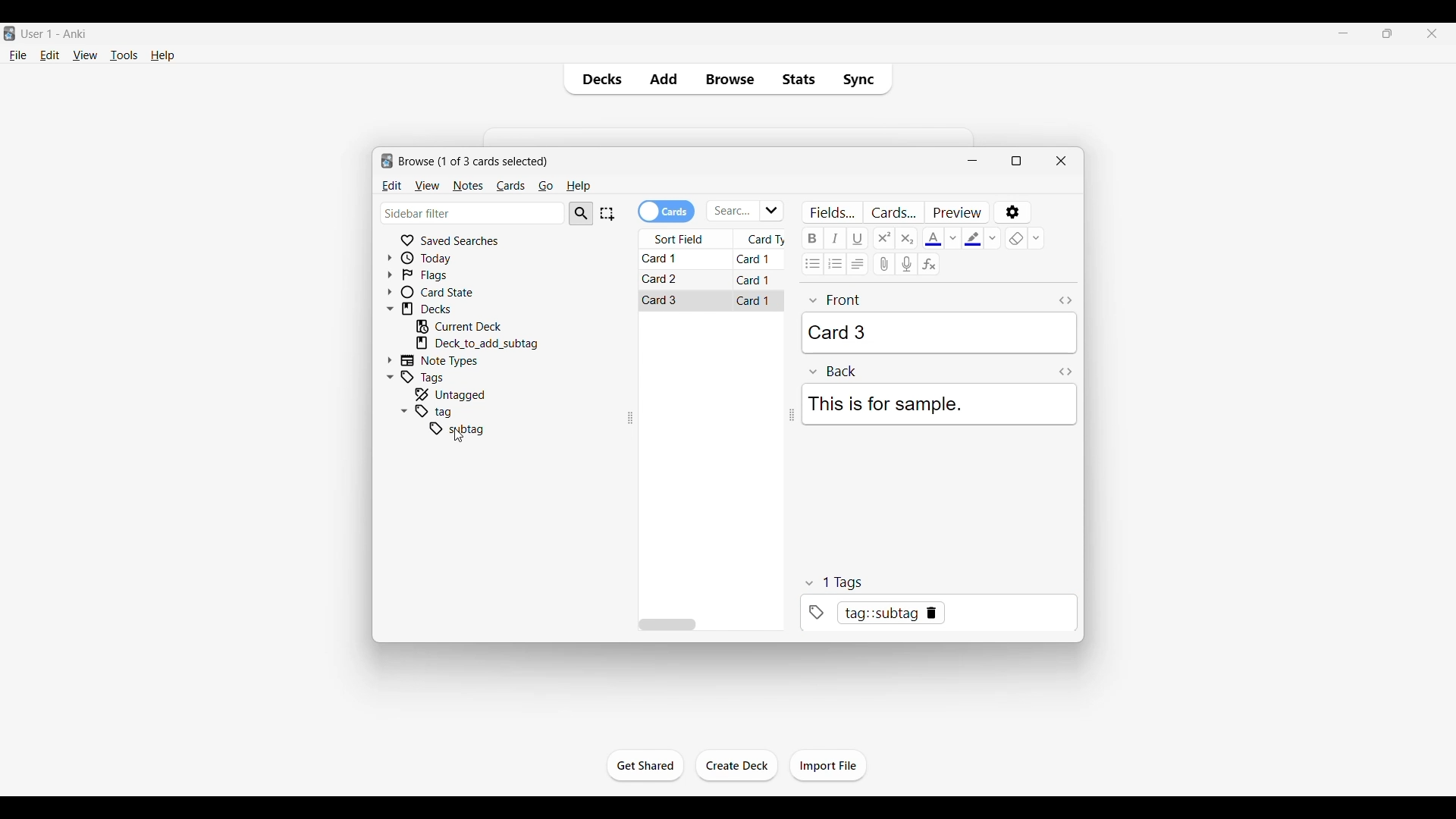 The width and height of the screenshot is (1456, 819). Describe the element at coordinates (1387, 33) in the screenshot. I see `Show interface in a smaller tab` at that location.